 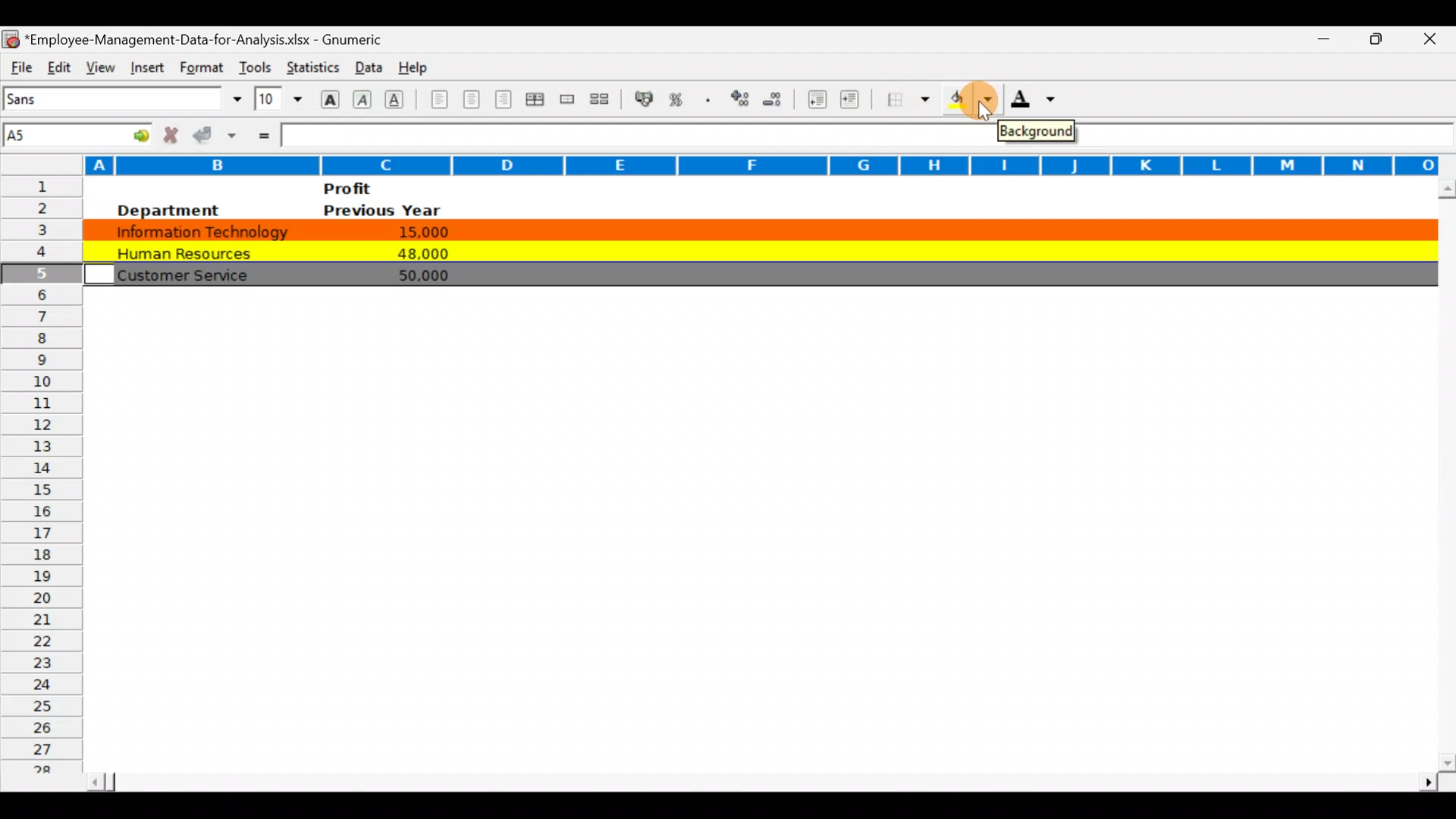 I want to click on Italic, so click(x=362, y=101).